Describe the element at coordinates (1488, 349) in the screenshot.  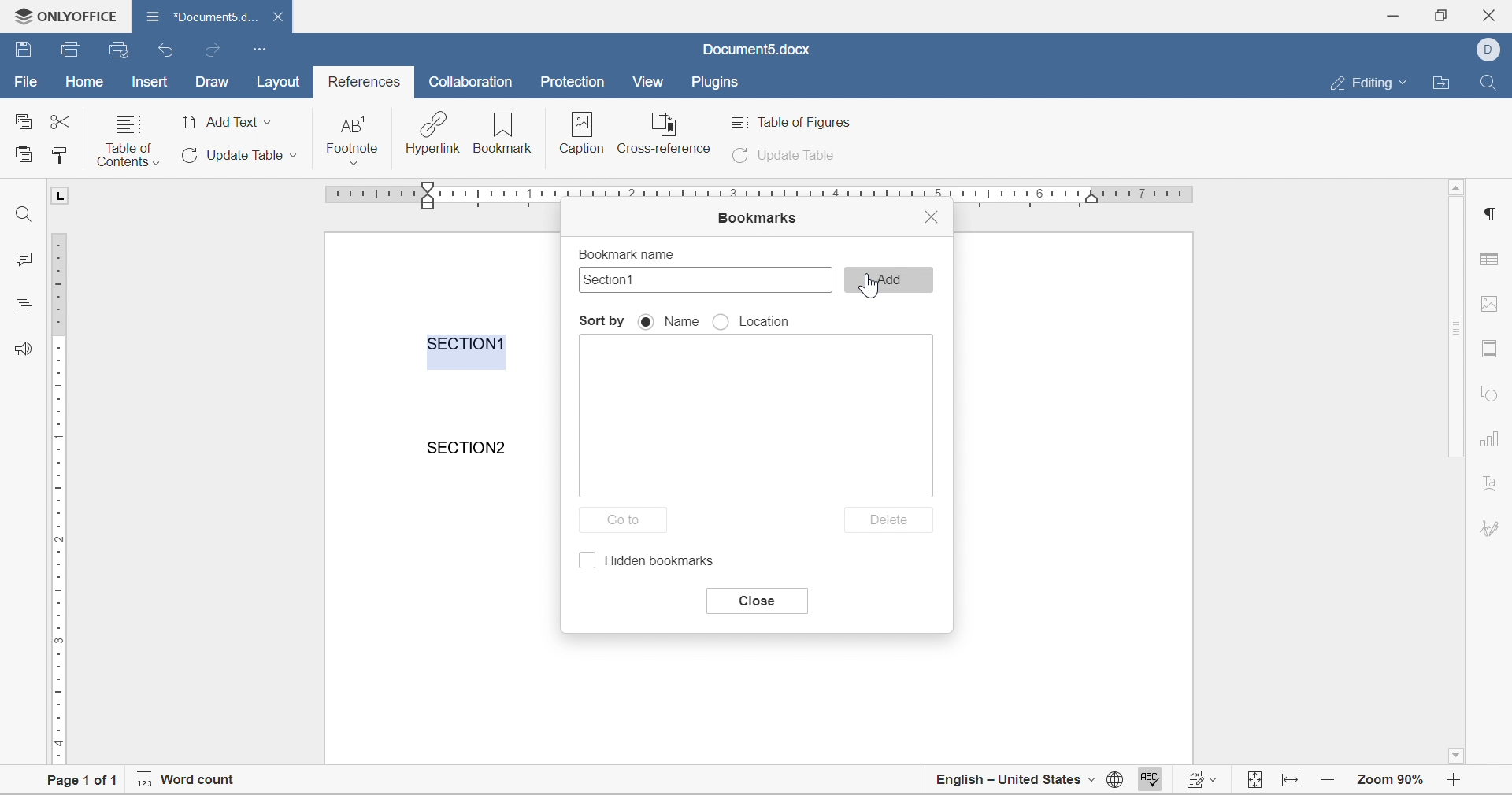
I see `header & footer settings` at that location.